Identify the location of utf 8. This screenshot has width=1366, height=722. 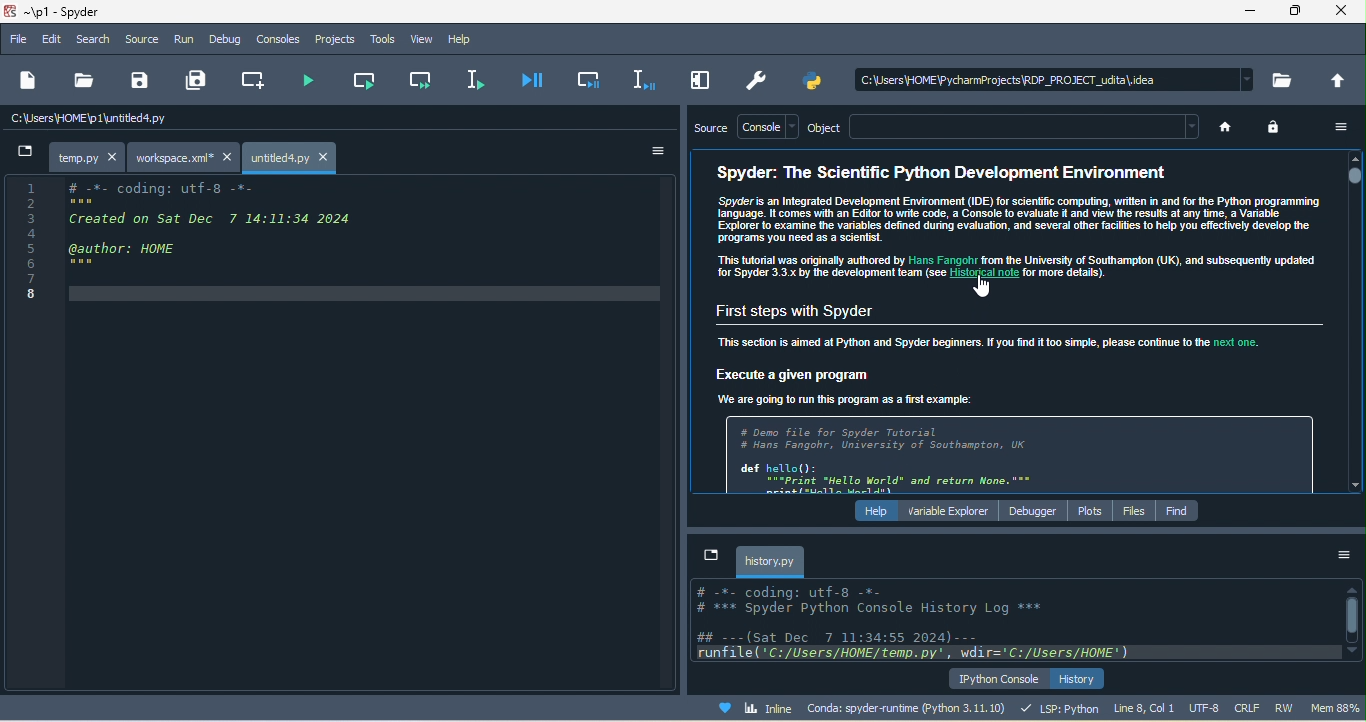
(1209, 710).